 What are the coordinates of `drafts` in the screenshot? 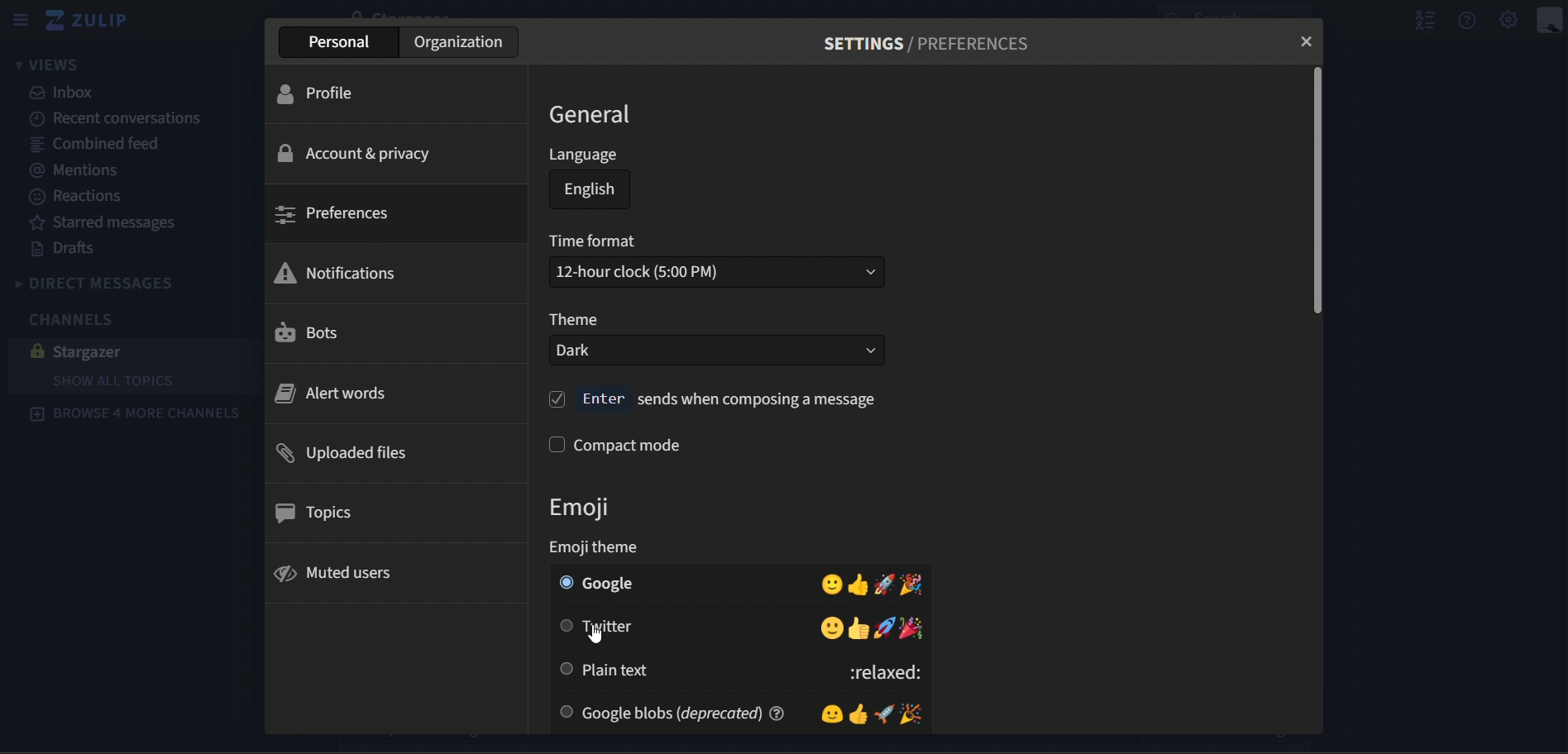 It's located at (67, 249).